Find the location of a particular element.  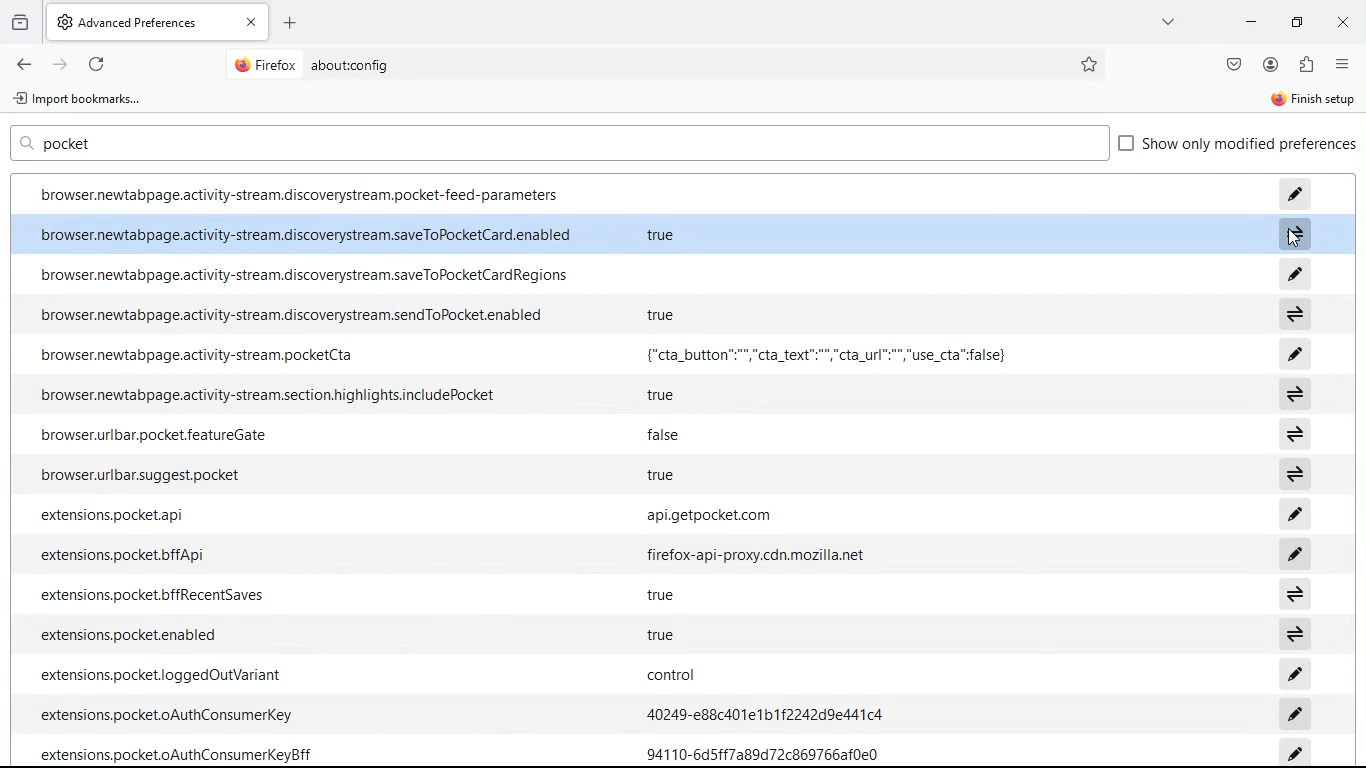

edit is located at coordinates (1295, 190).